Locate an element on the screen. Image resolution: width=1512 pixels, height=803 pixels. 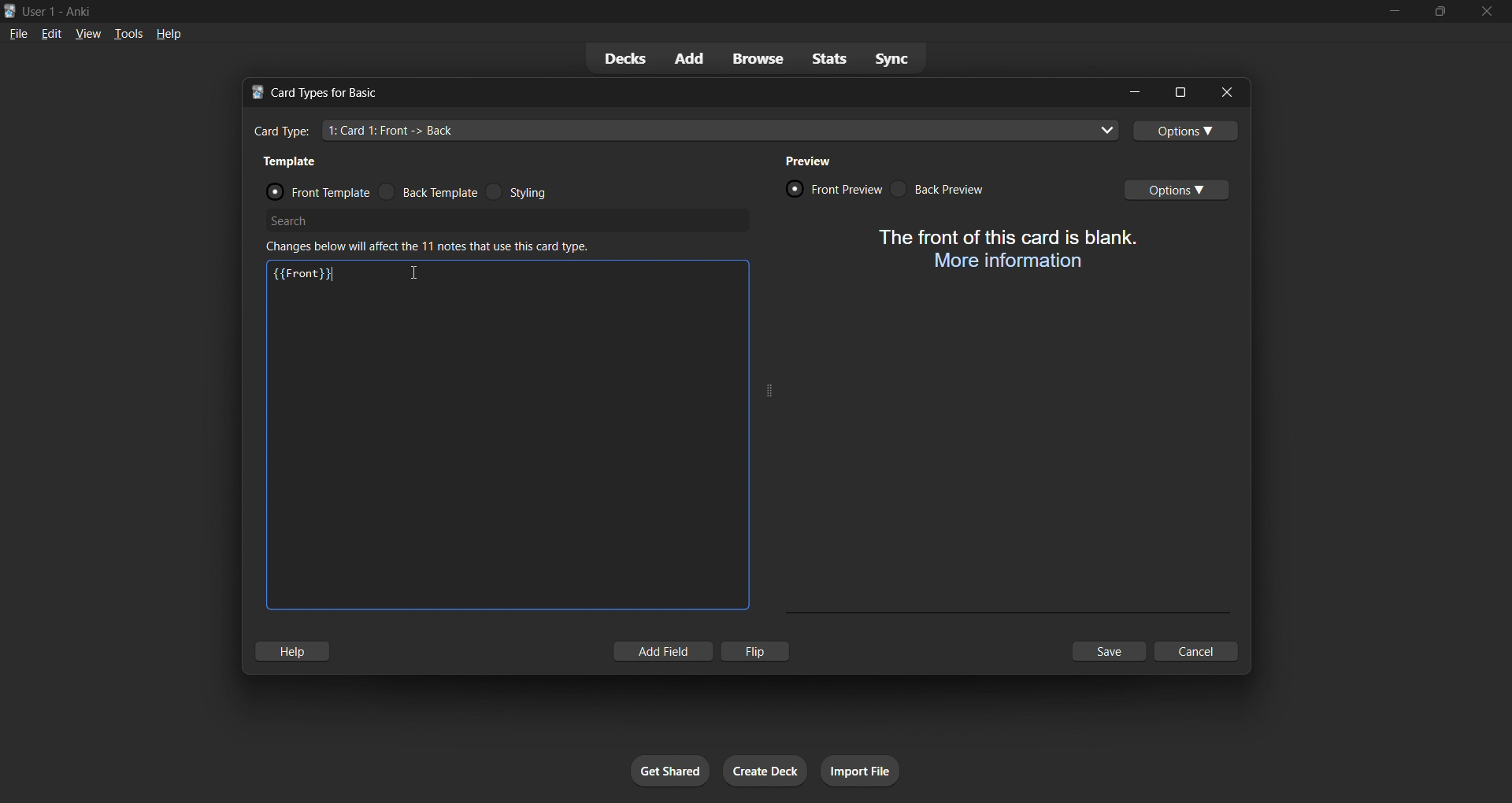
maximize is located at coordinates (1177, 91).